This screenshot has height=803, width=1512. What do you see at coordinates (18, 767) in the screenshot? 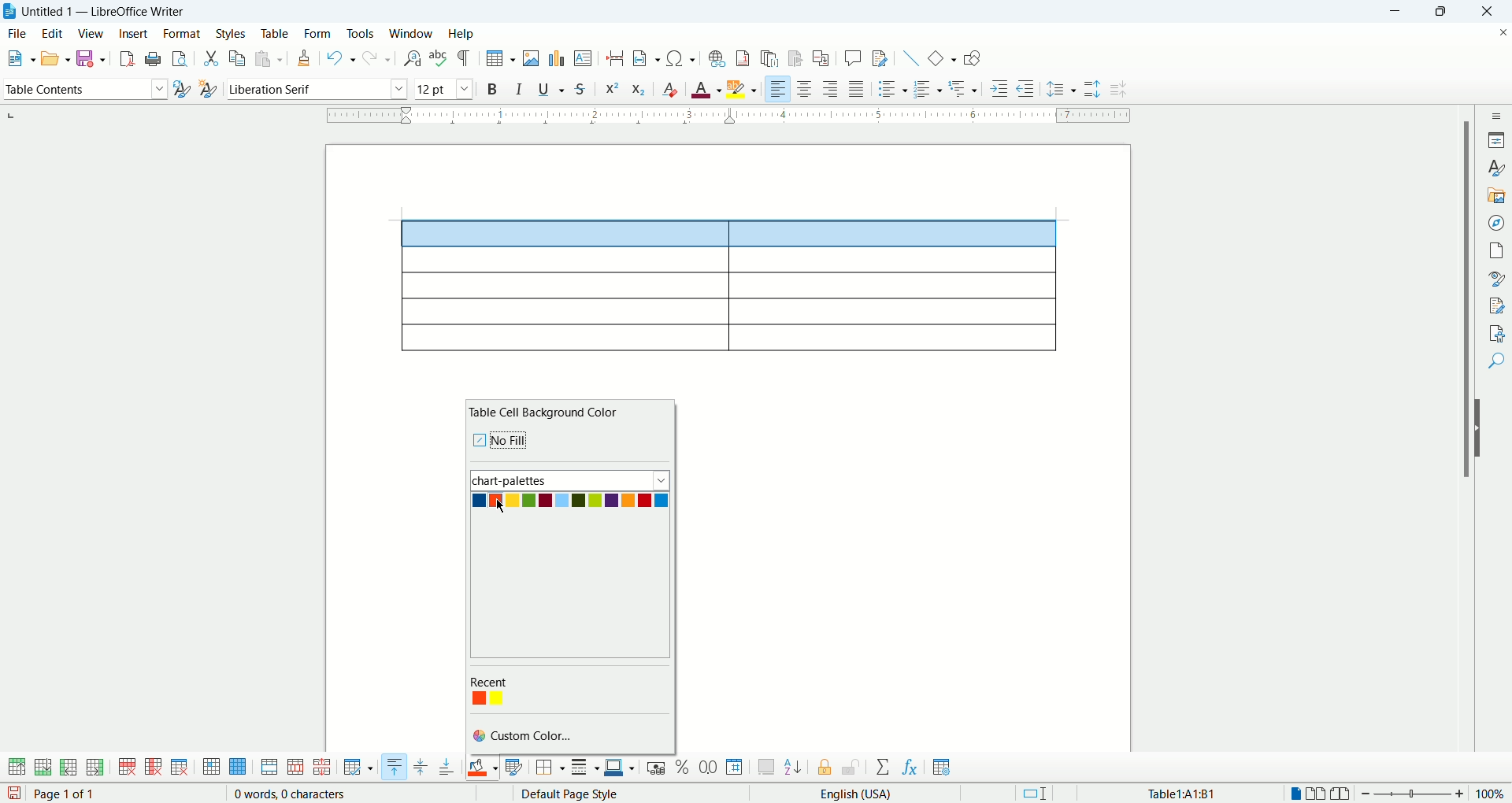
I see `insert row above` at bounding box center [18, 767].